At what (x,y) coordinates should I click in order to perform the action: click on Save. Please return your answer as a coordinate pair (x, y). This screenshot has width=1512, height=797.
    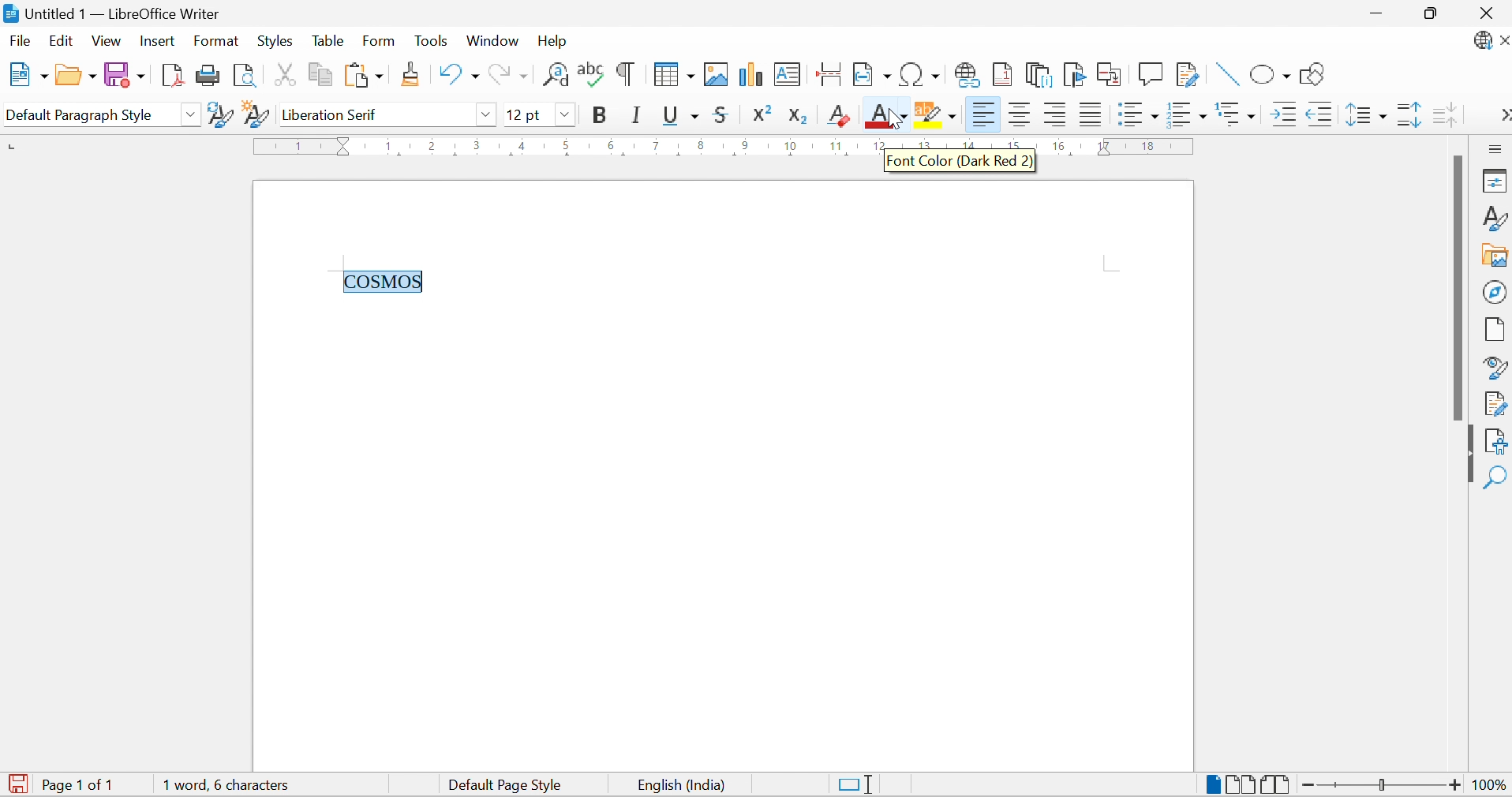
    Looking at the image, I should click on (123, 74).